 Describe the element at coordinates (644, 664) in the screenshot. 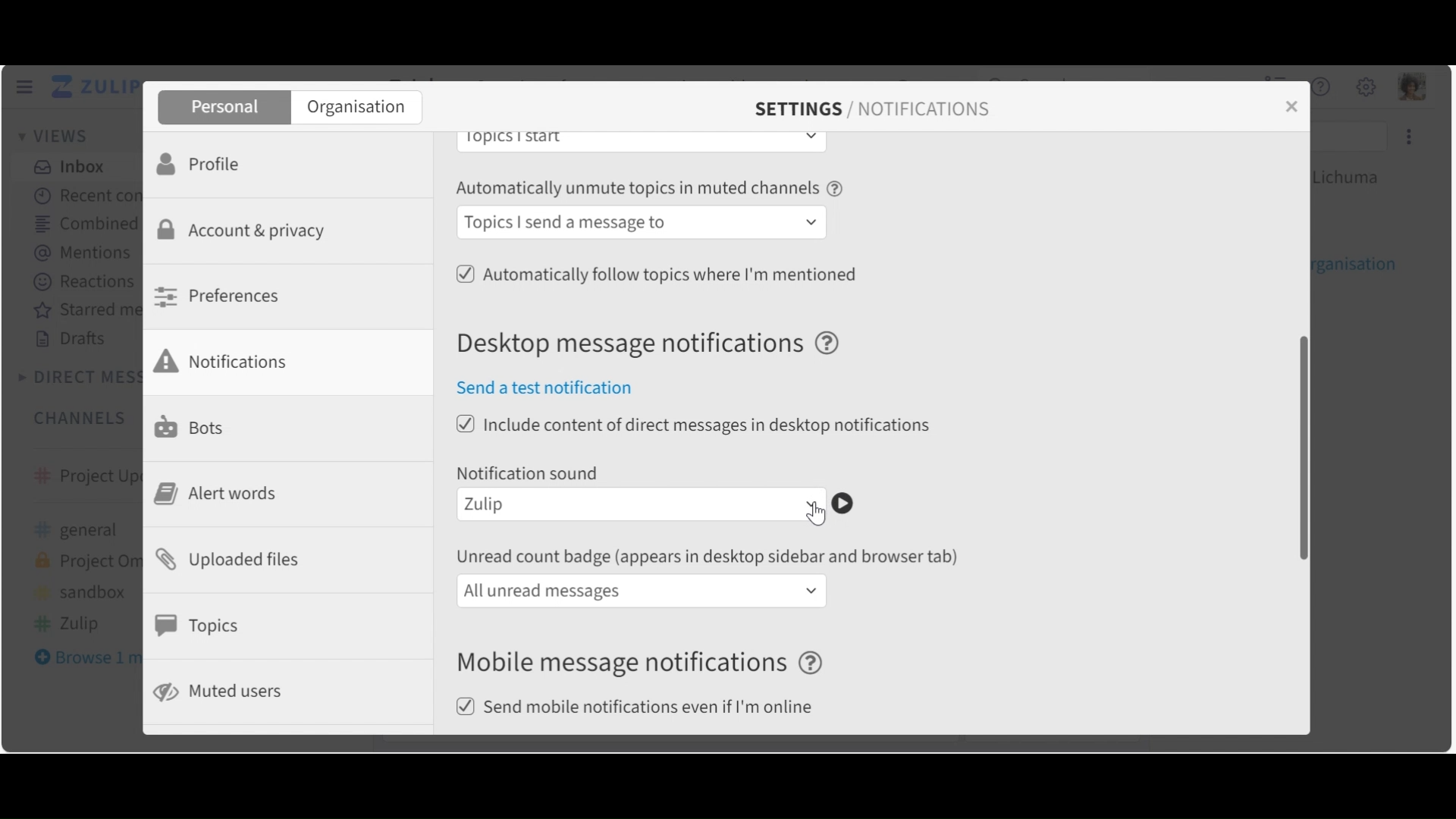

I see `Mobile message notifications` at that location.